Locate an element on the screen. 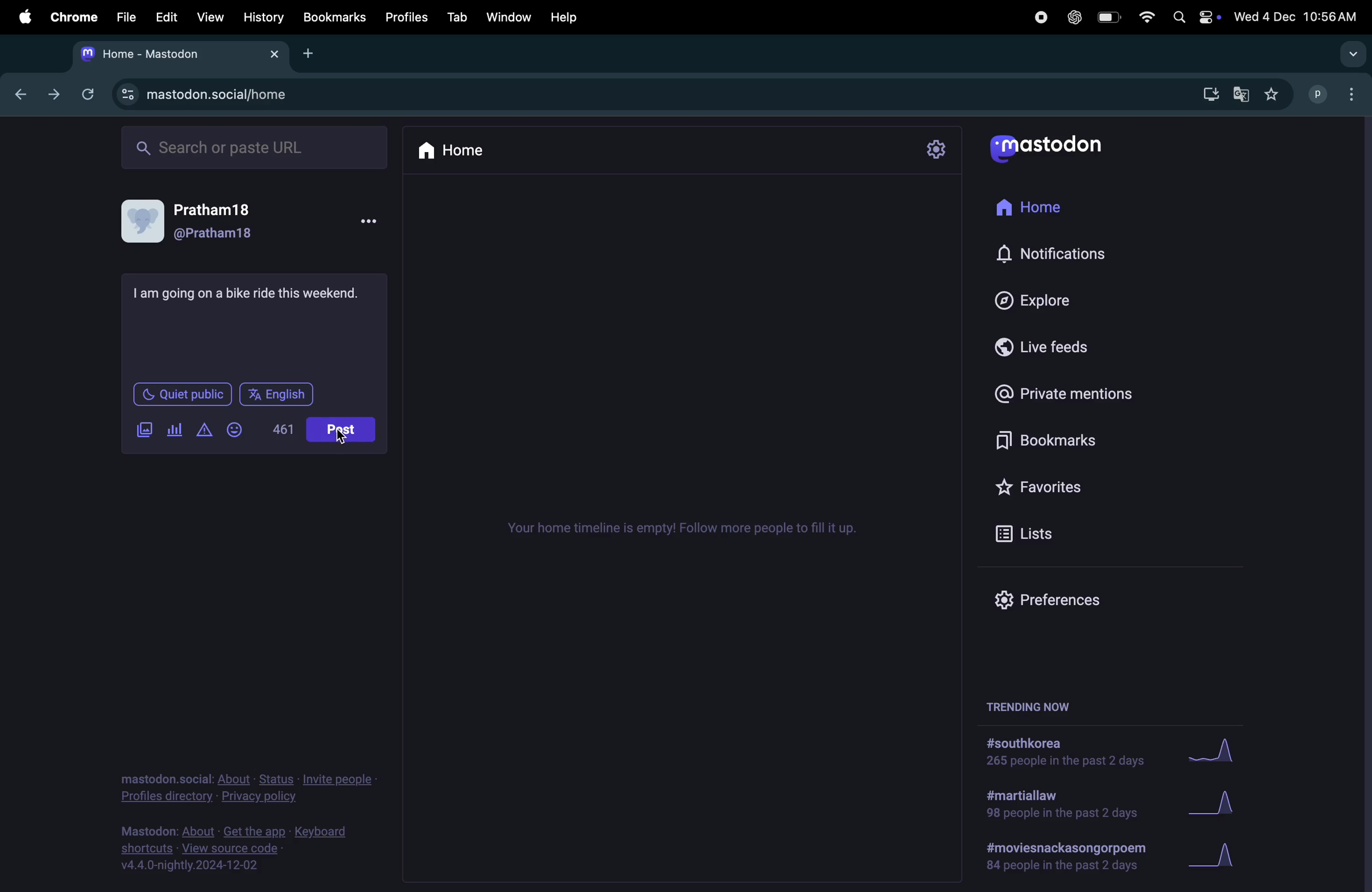  View is located at coordinates (211, 14).